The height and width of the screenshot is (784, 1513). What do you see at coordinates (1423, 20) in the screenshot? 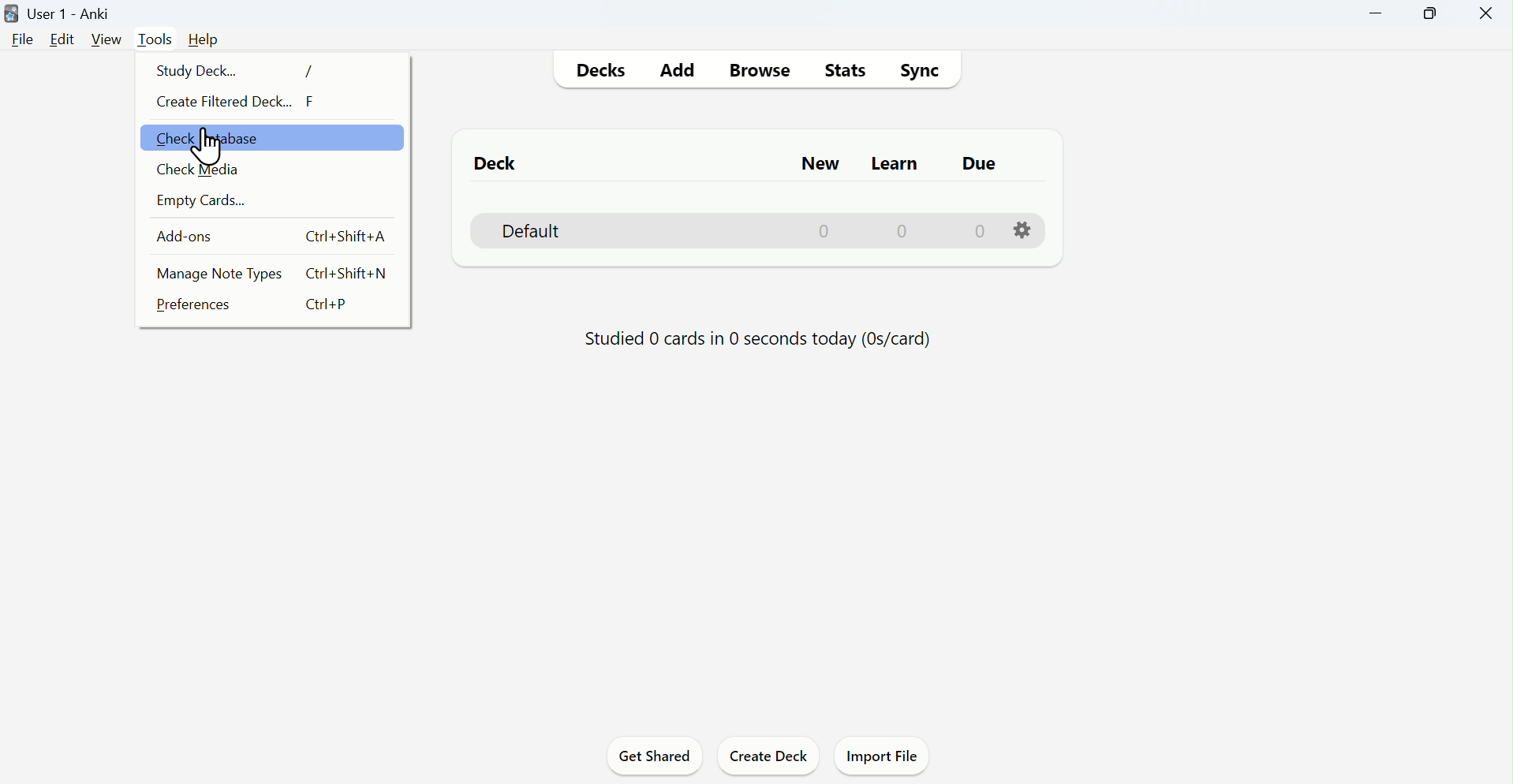
I see `Maximise` at bounding box center [1423, 20].